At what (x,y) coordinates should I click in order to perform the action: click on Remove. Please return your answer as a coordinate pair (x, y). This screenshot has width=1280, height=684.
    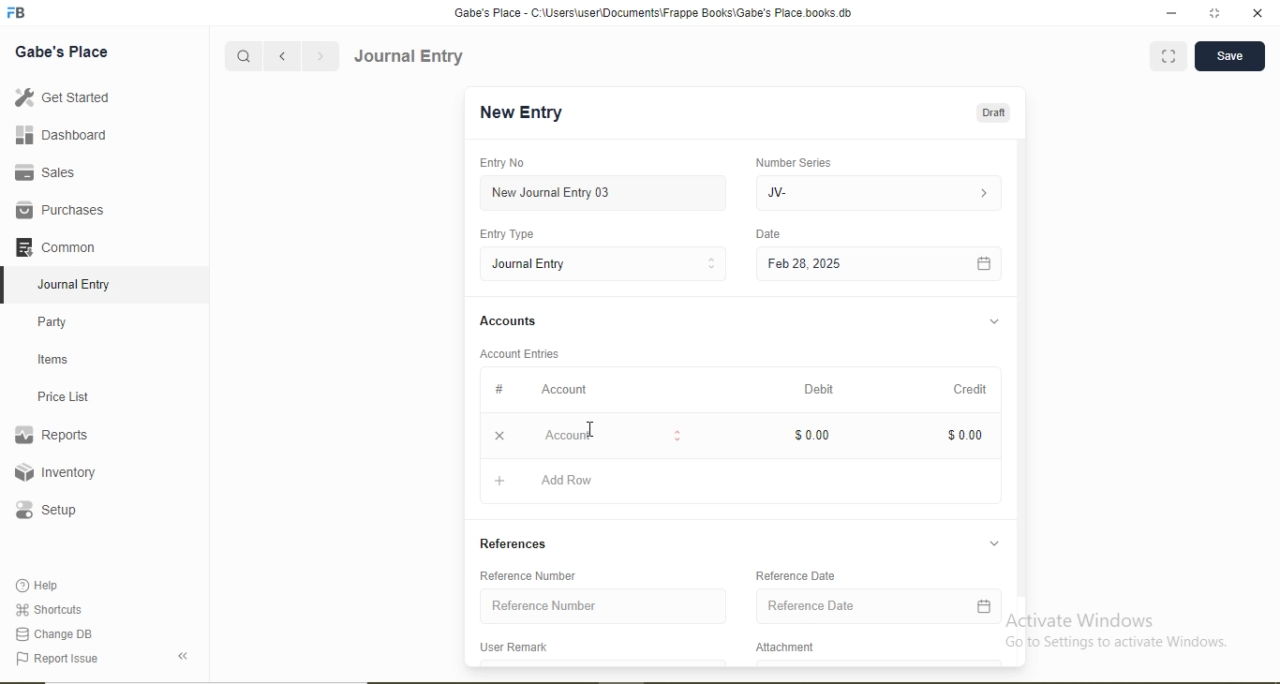
    Looking at the image, I should click on (499, 436).